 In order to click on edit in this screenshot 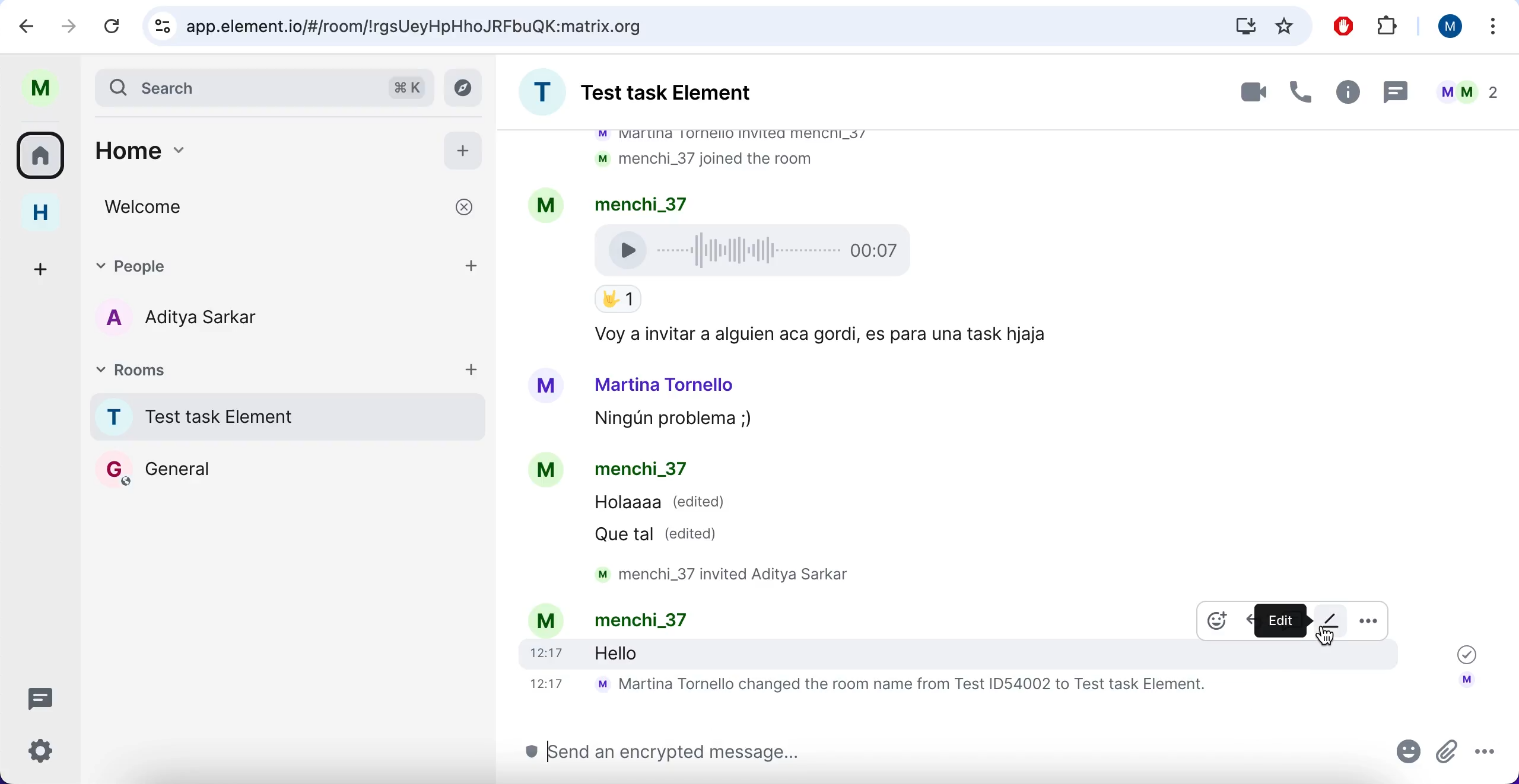, I will do `click(1280, 620)`.